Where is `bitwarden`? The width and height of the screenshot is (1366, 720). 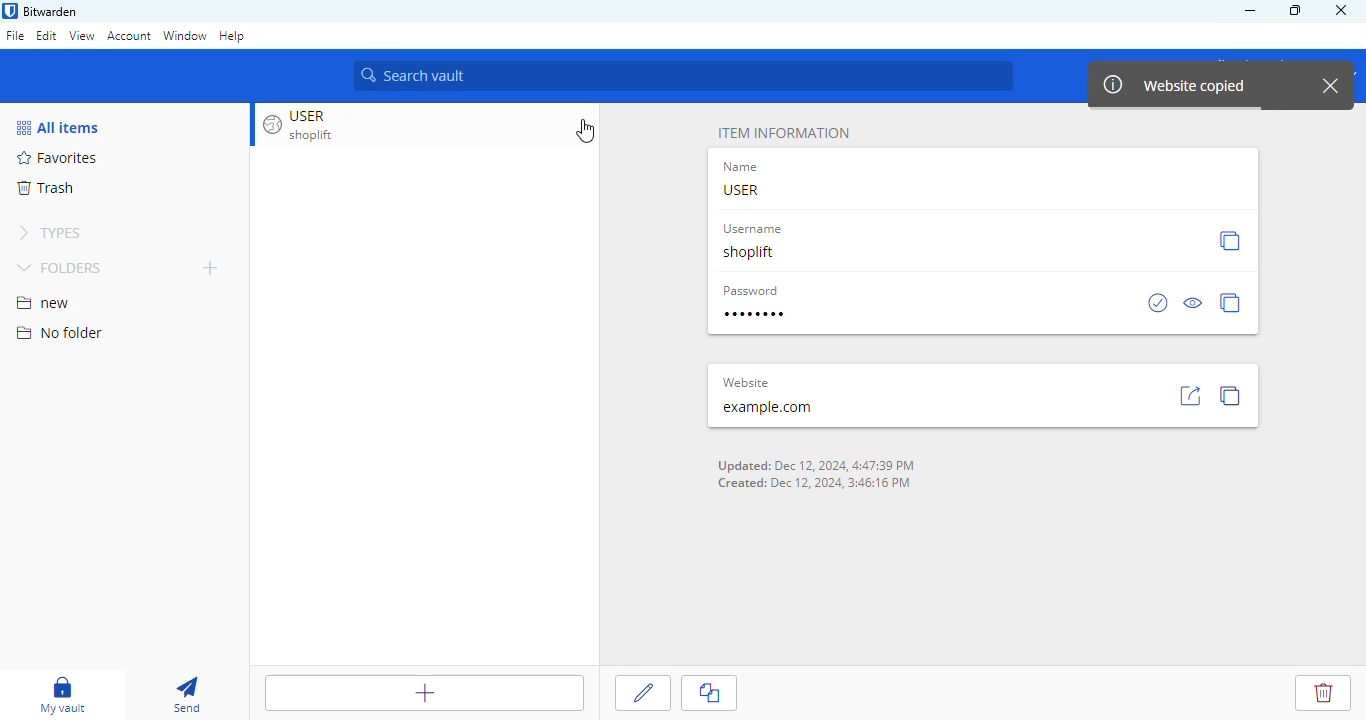
bitwarden is located at coordinates (51, 12).